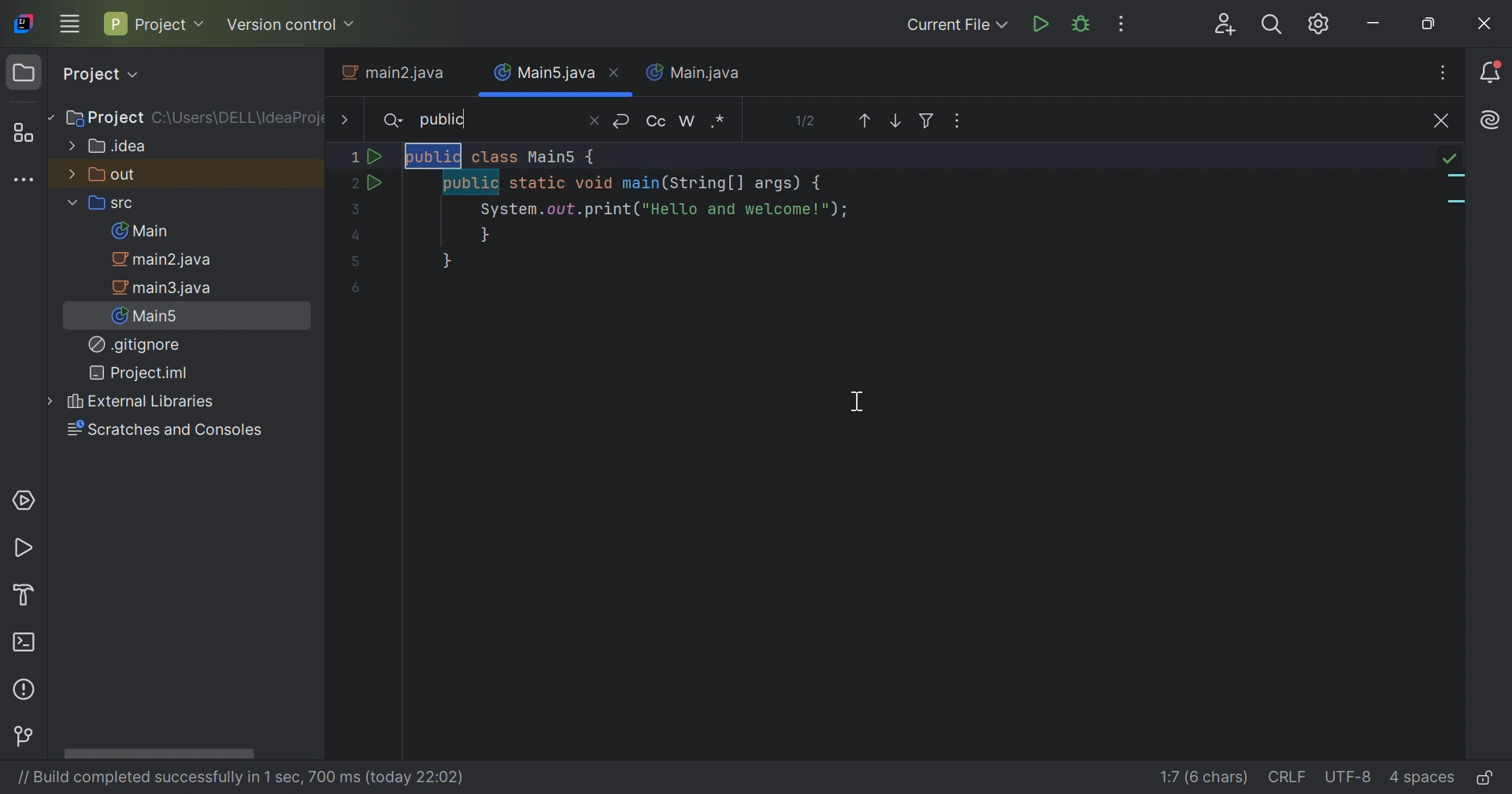  What do you see at coordinates (354, 184) in the screenshot?
I see `2` at bounding box center [354, 184].